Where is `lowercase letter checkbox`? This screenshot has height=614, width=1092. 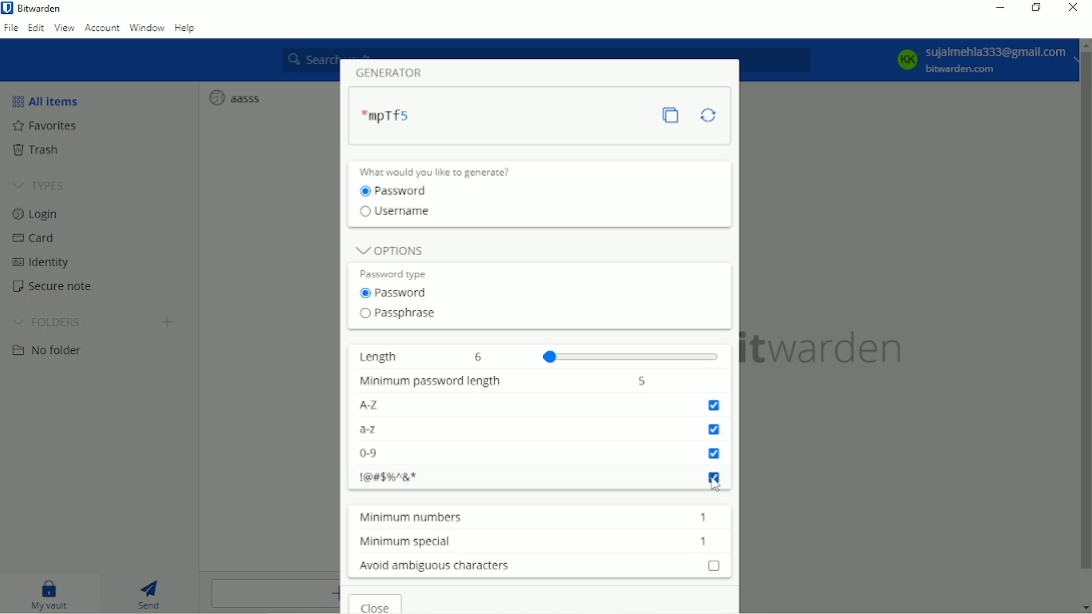
lowercase letter checkbox is located at coordinates (714, 432).